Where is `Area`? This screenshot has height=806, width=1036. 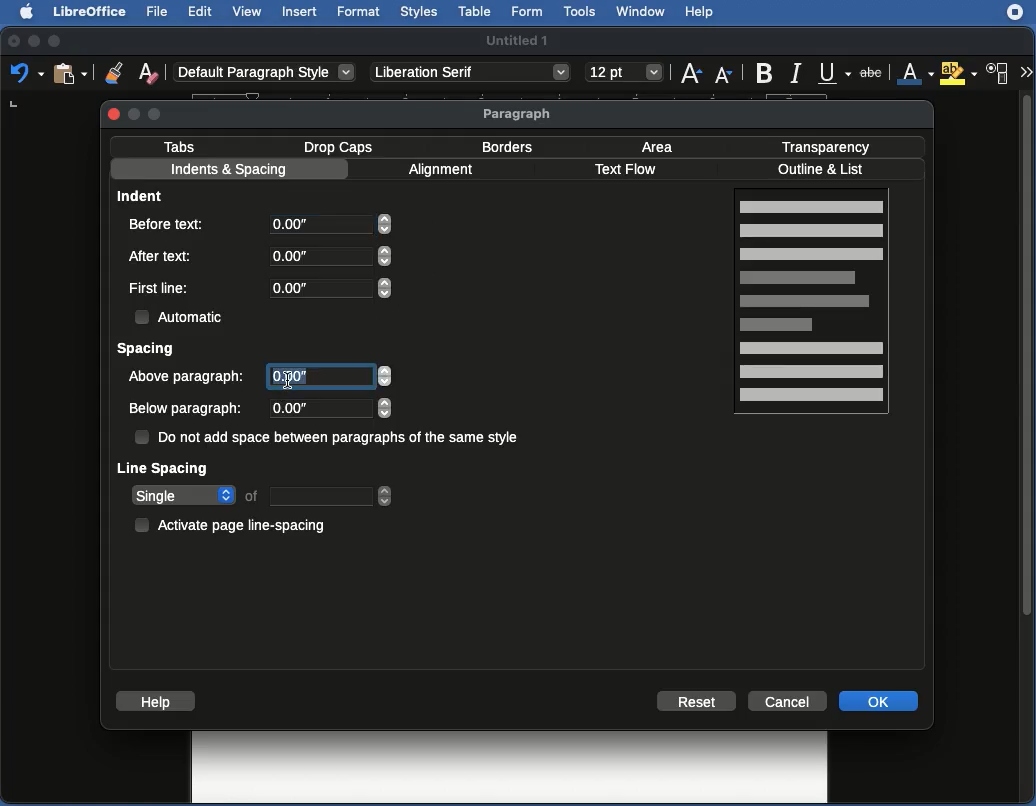
Area is located at coordinates (662, 146).